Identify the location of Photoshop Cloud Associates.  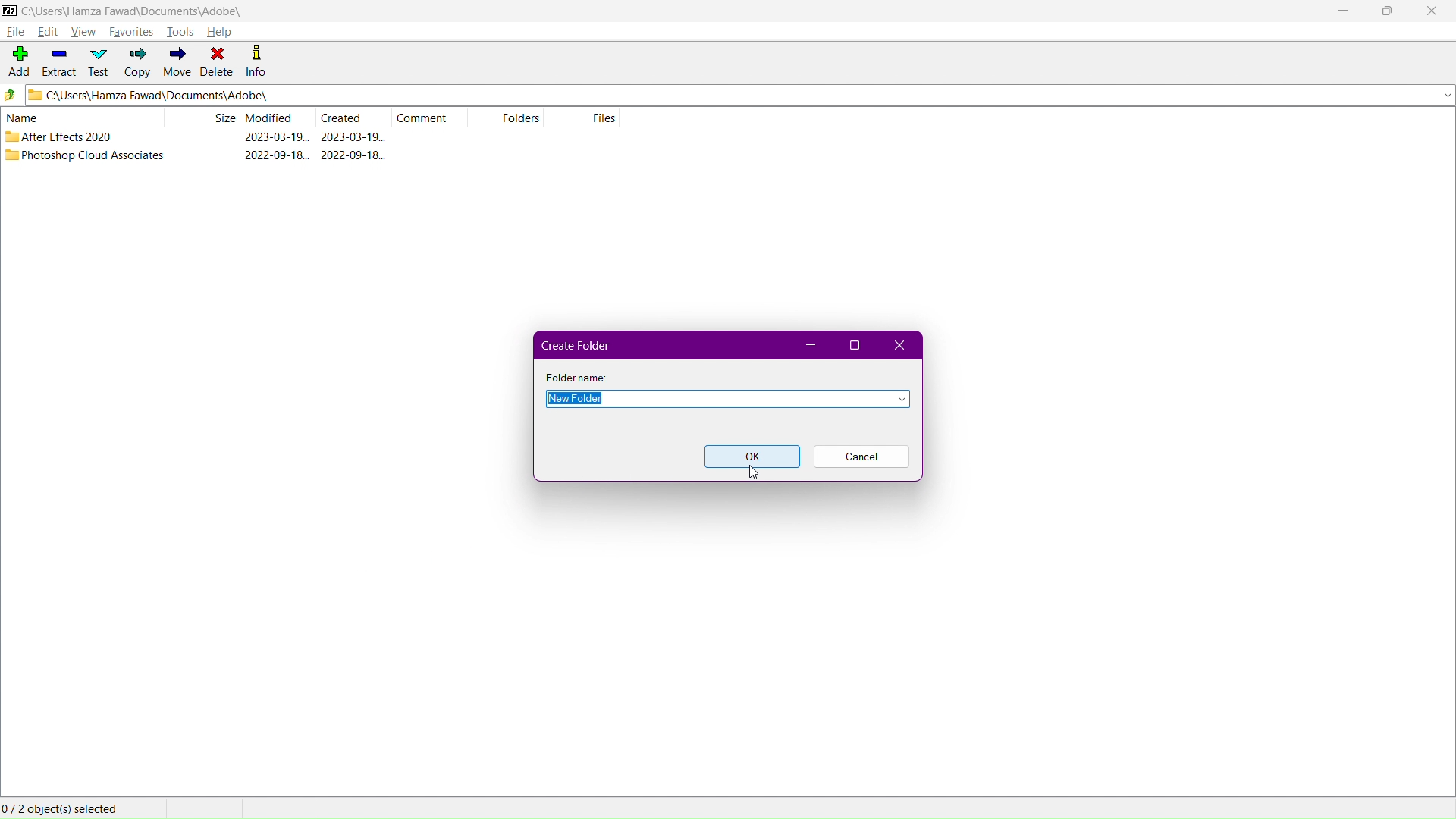
(94, 155).